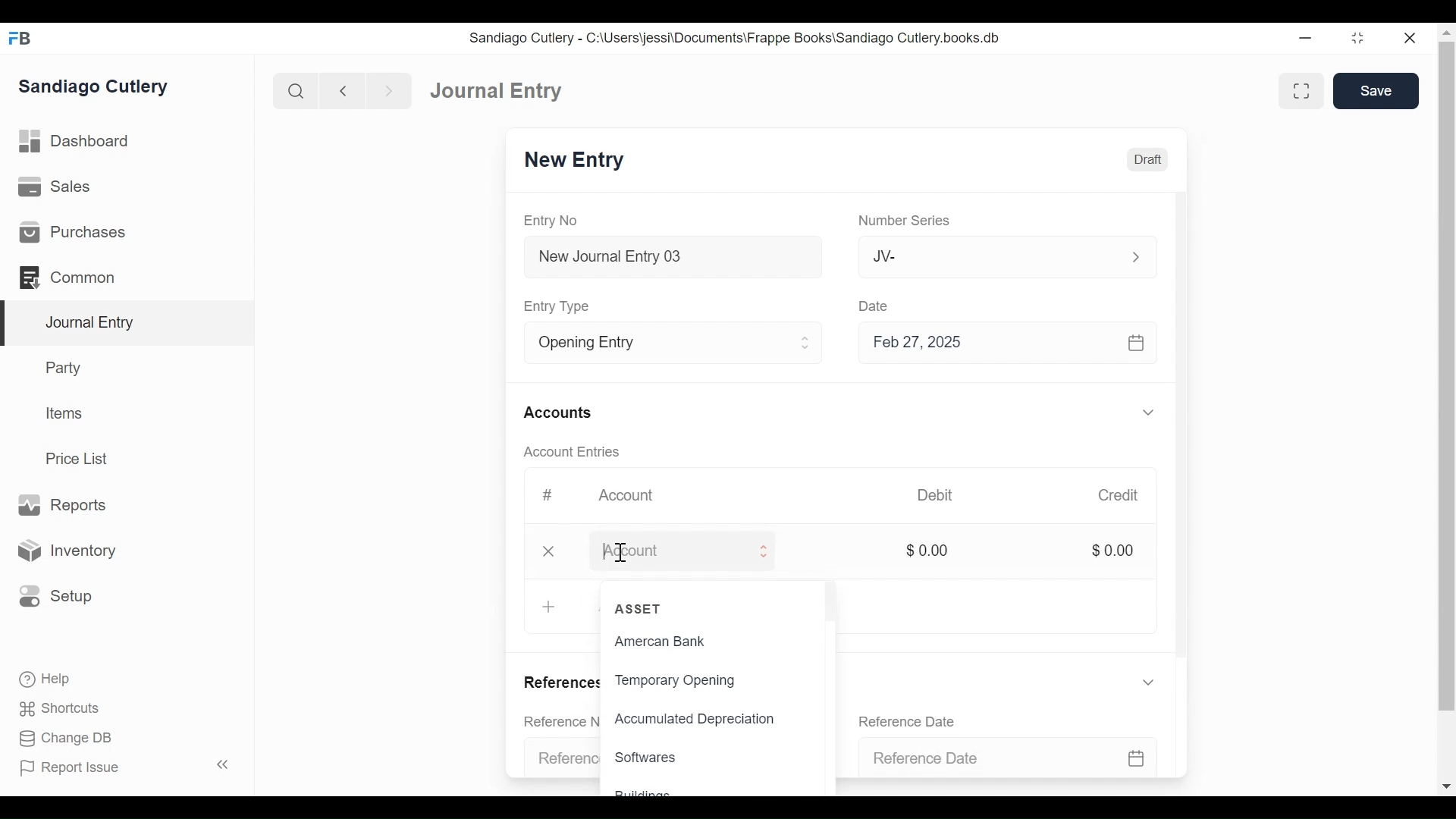  Describe the element at coordinates (1306, 39) in the screenshot. I see `Minimize` at that location.